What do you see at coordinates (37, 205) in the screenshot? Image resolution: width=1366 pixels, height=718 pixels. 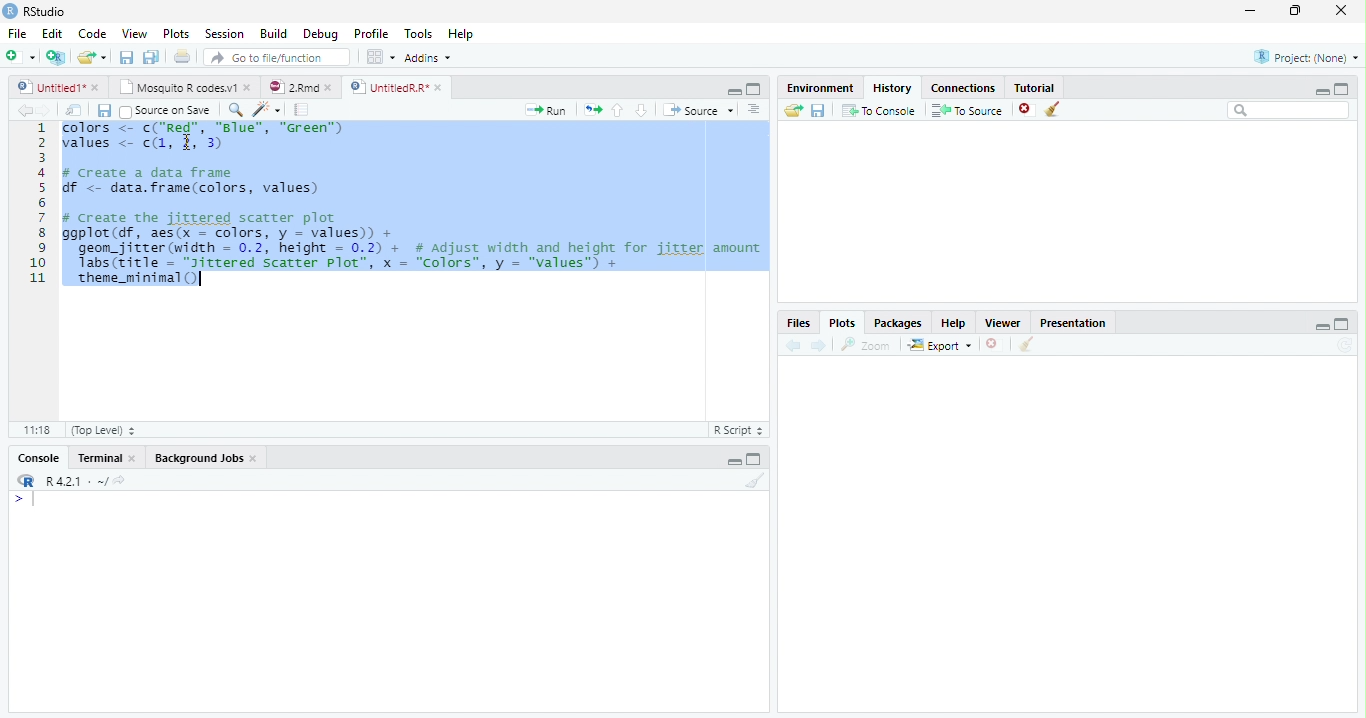 I see `Line numbers` at bounding box center [37, 205].